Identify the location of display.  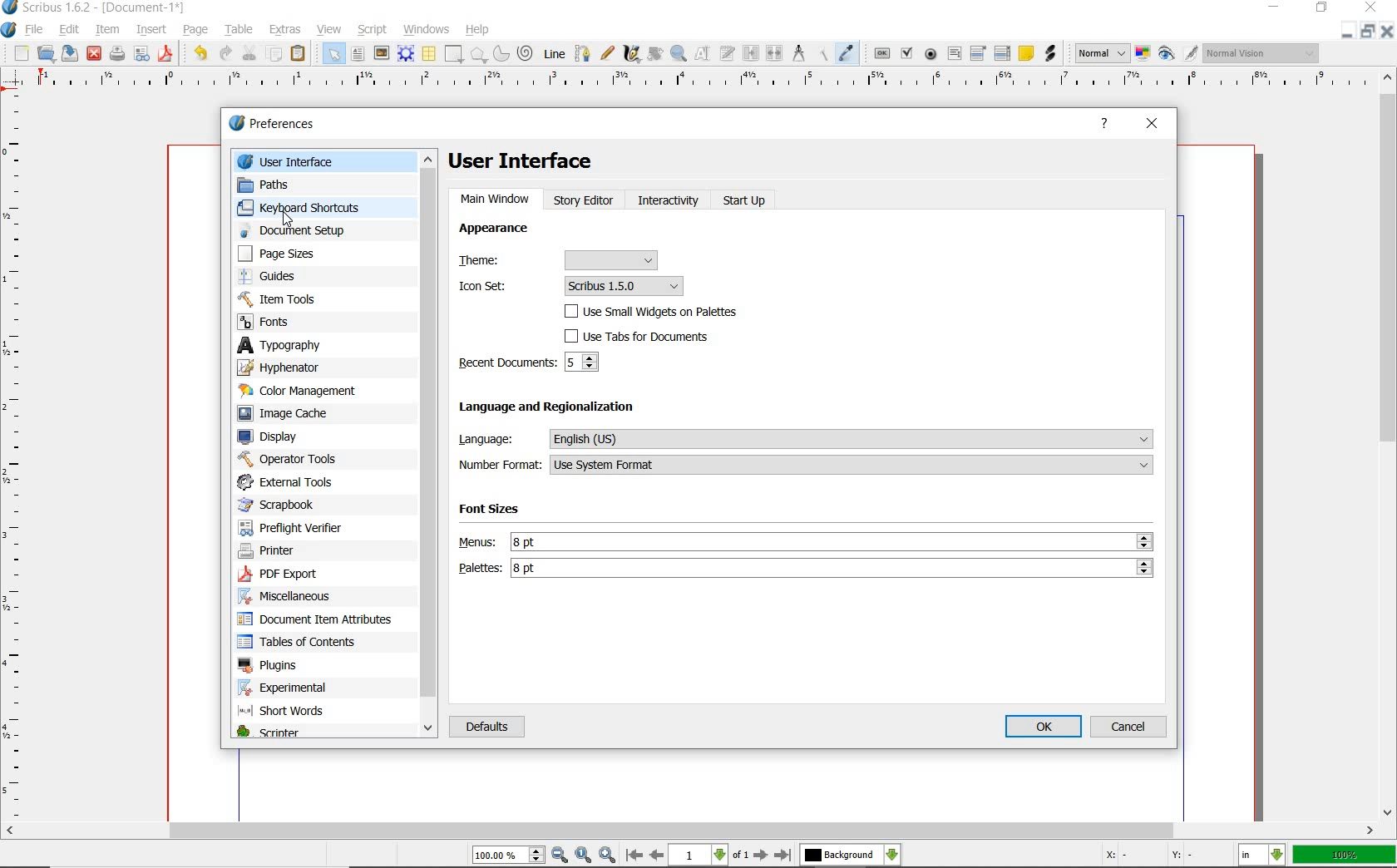
(276, 436).